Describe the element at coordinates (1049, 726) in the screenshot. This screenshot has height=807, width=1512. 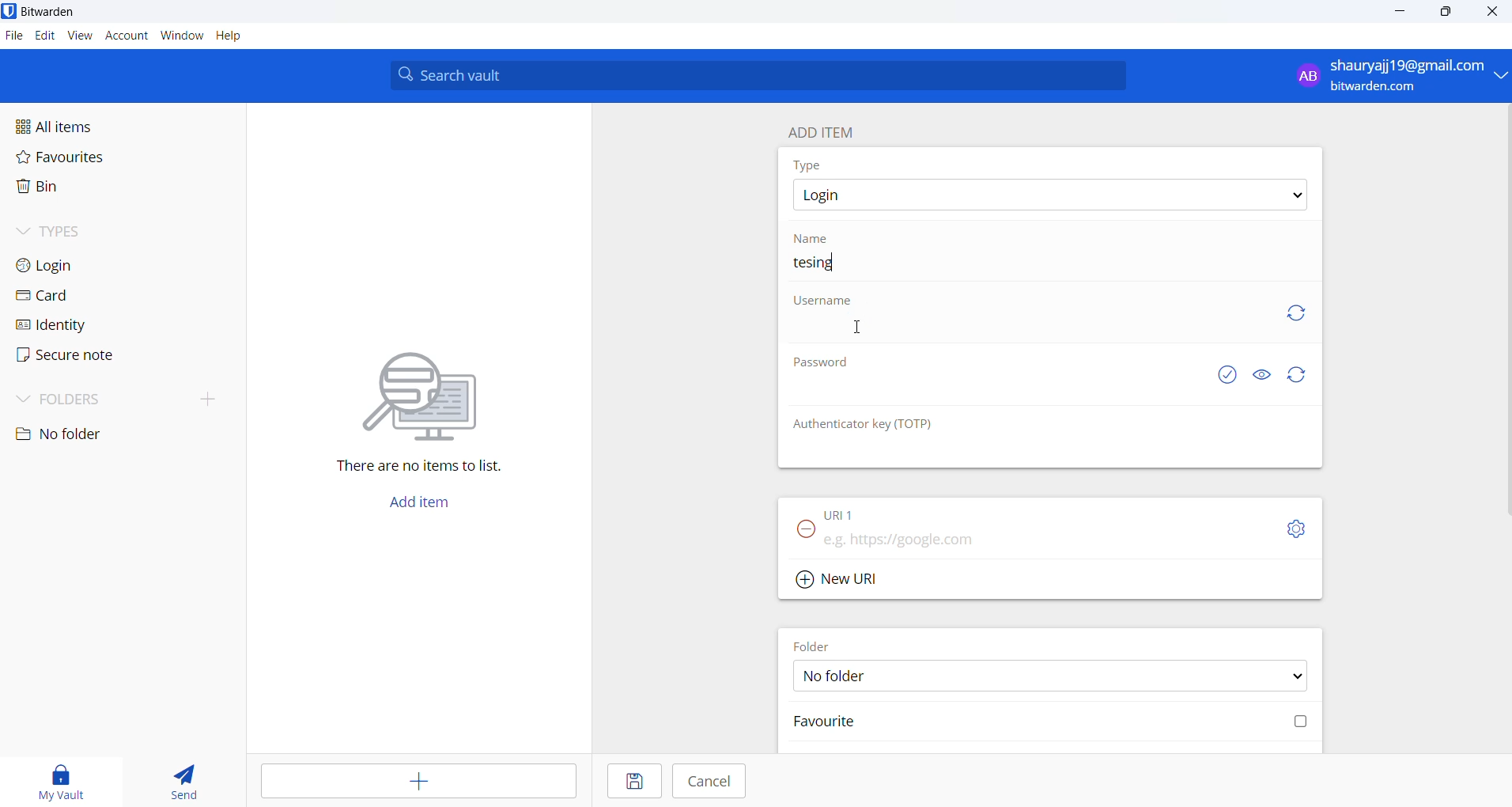
I see `Mark favourite` at that location.